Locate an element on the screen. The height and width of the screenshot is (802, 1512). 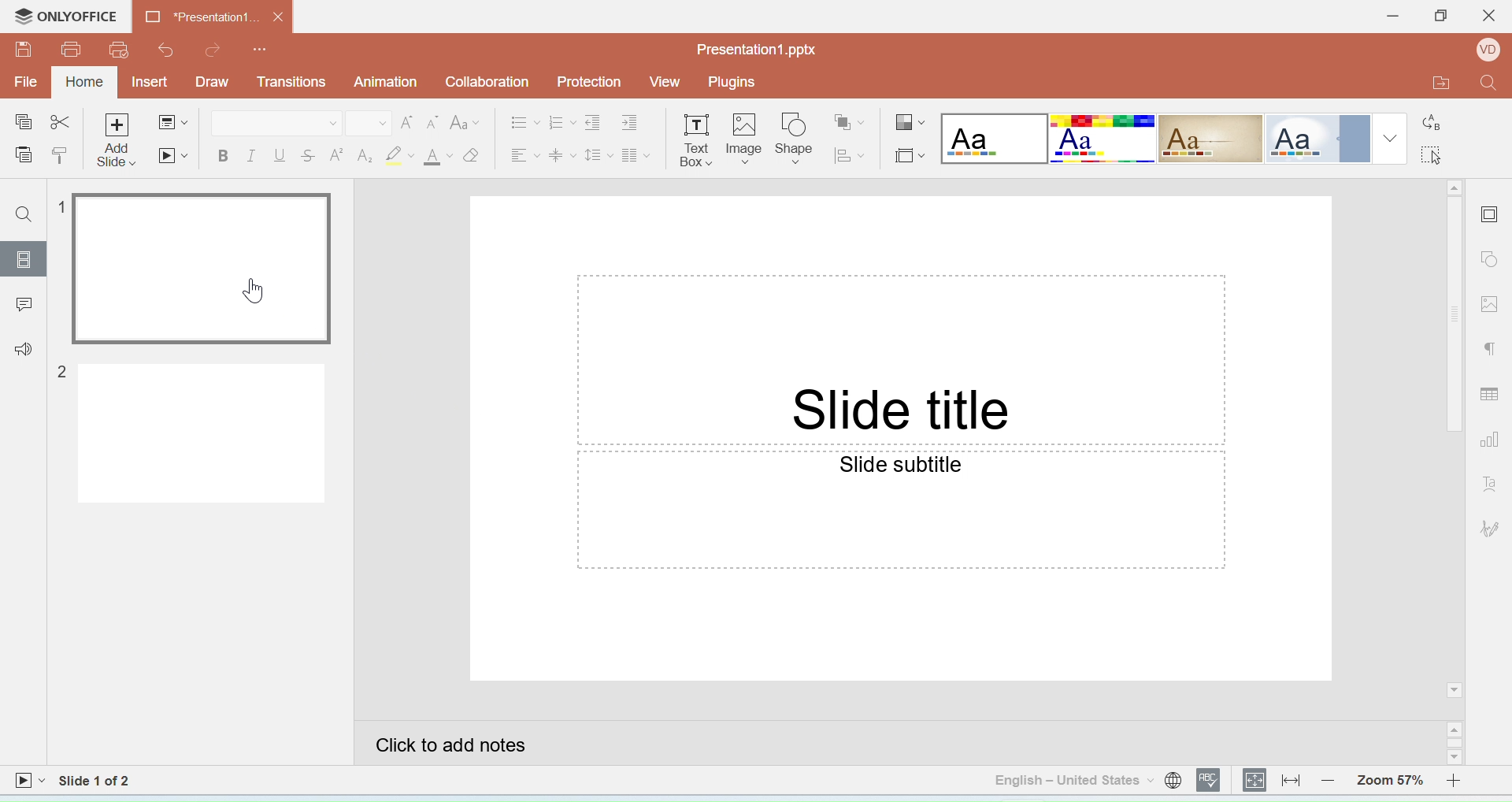
Paste is located at coordinates (23, 156).